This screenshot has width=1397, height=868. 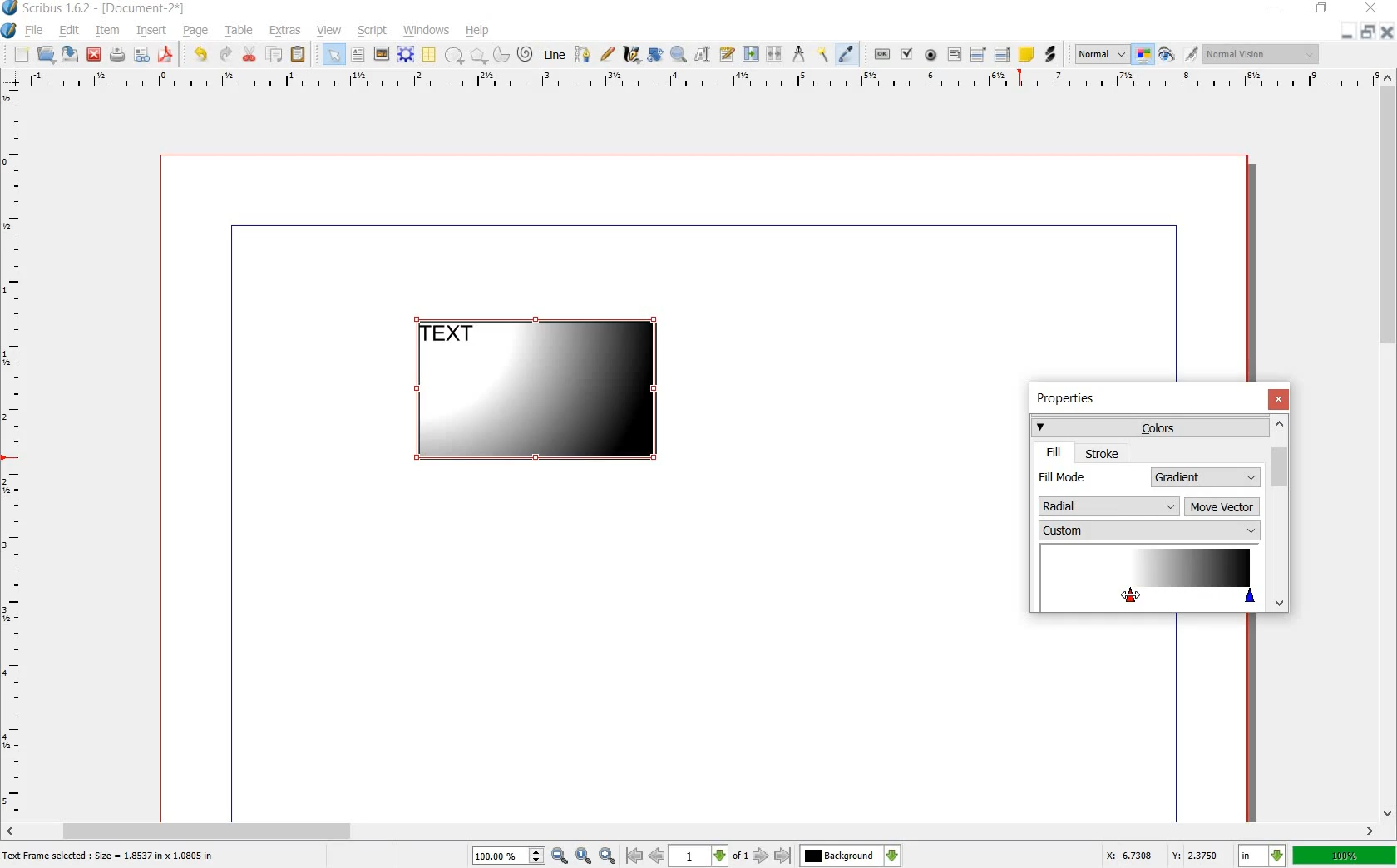 What do you see at coordinates (225, 55) in the screenshot?
I see `redo` at bounding box center [225, 55].